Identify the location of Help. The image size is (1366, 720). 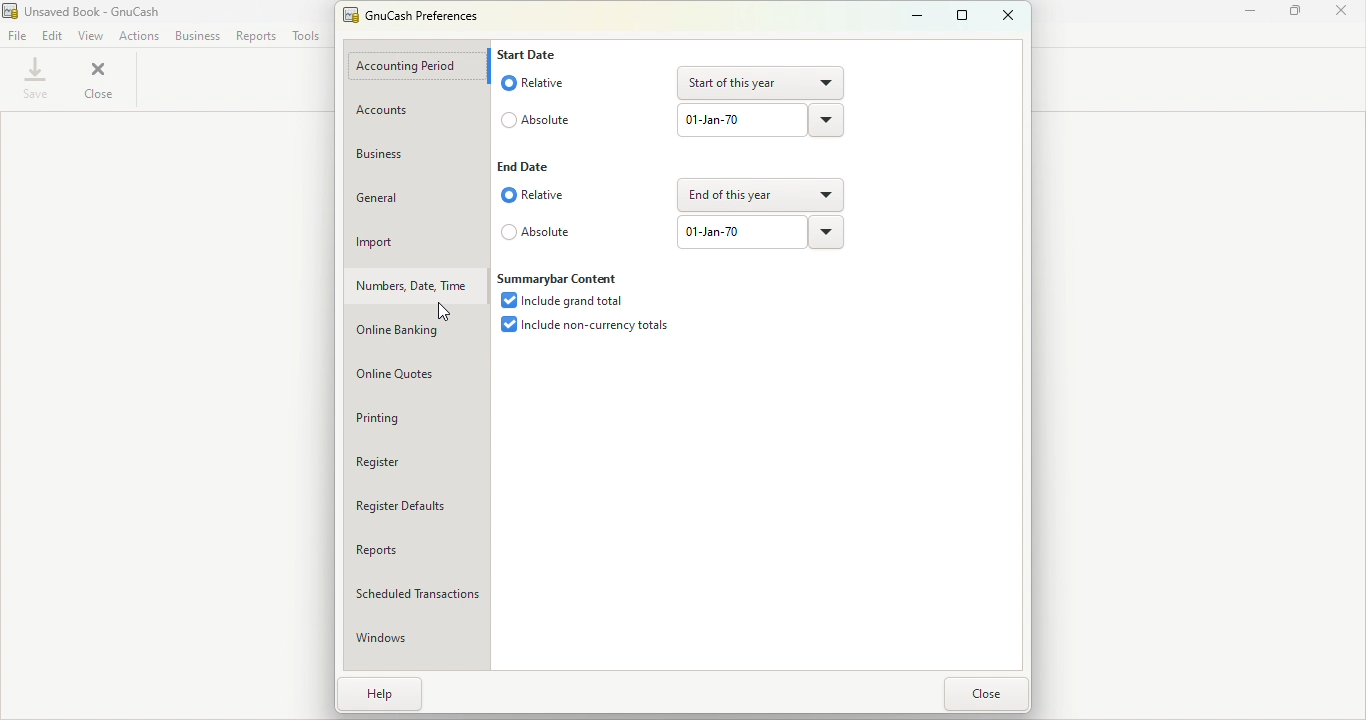
(384, 694).